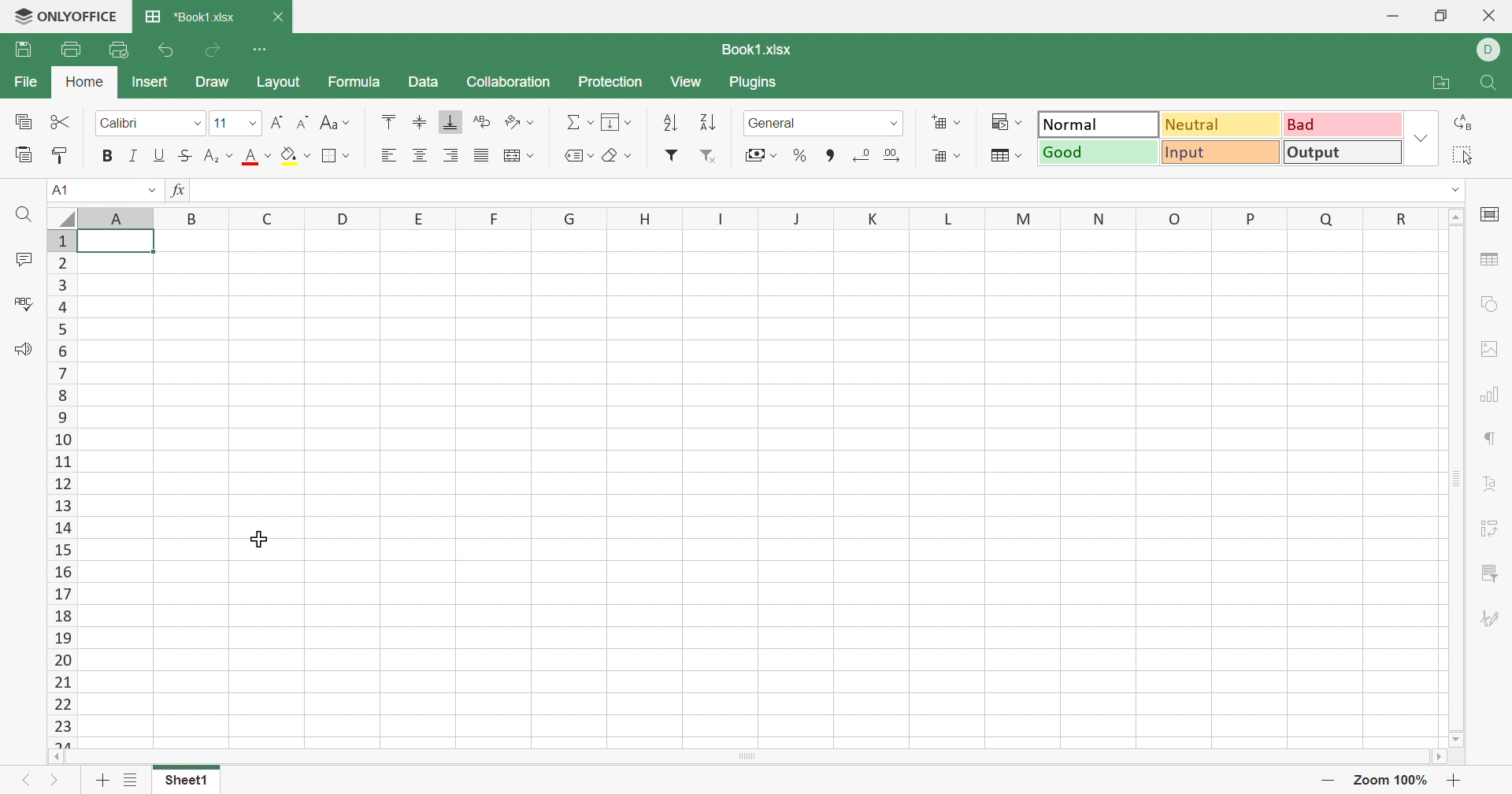 Image resolution: width=1512 pixels, height=794 pixels. What do you see at coordinates (758, 50) in the screenshot?
I see `Book1.xlsx` at bounding box center [758, 50].